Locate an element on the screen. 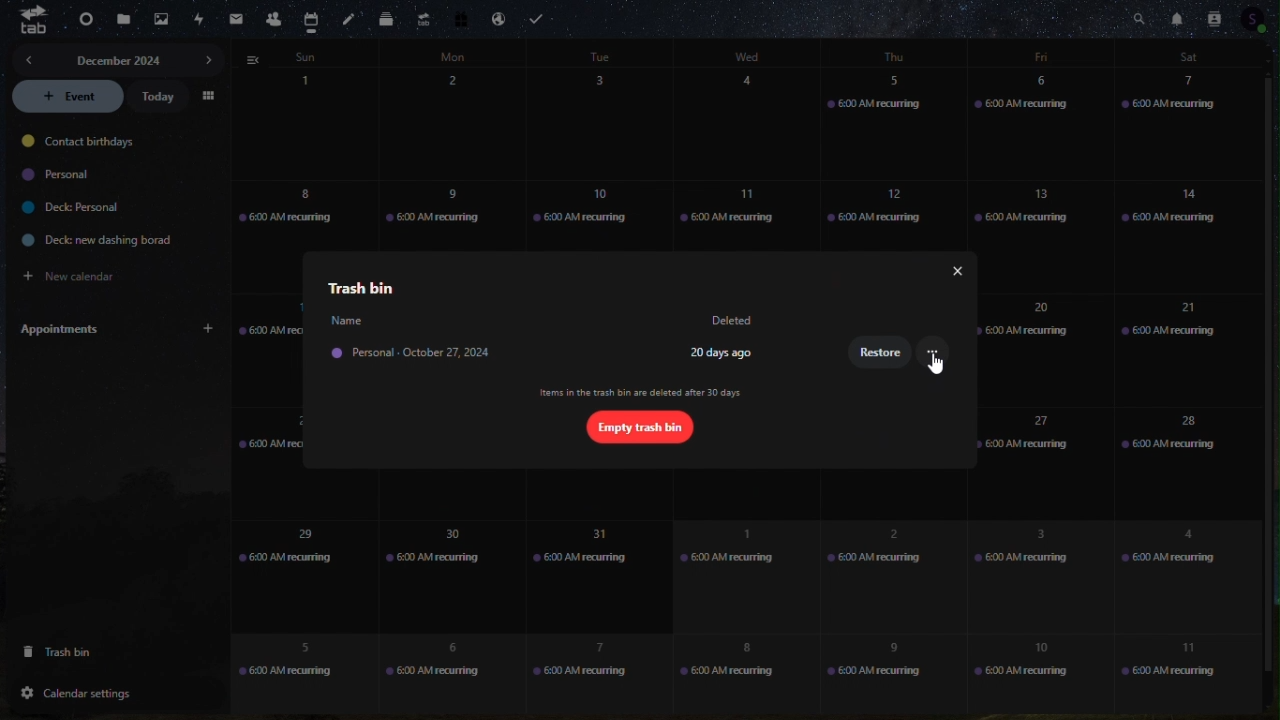 The height and width of the screenshot is (720, 1280). event is located at coordinates (68, 97).